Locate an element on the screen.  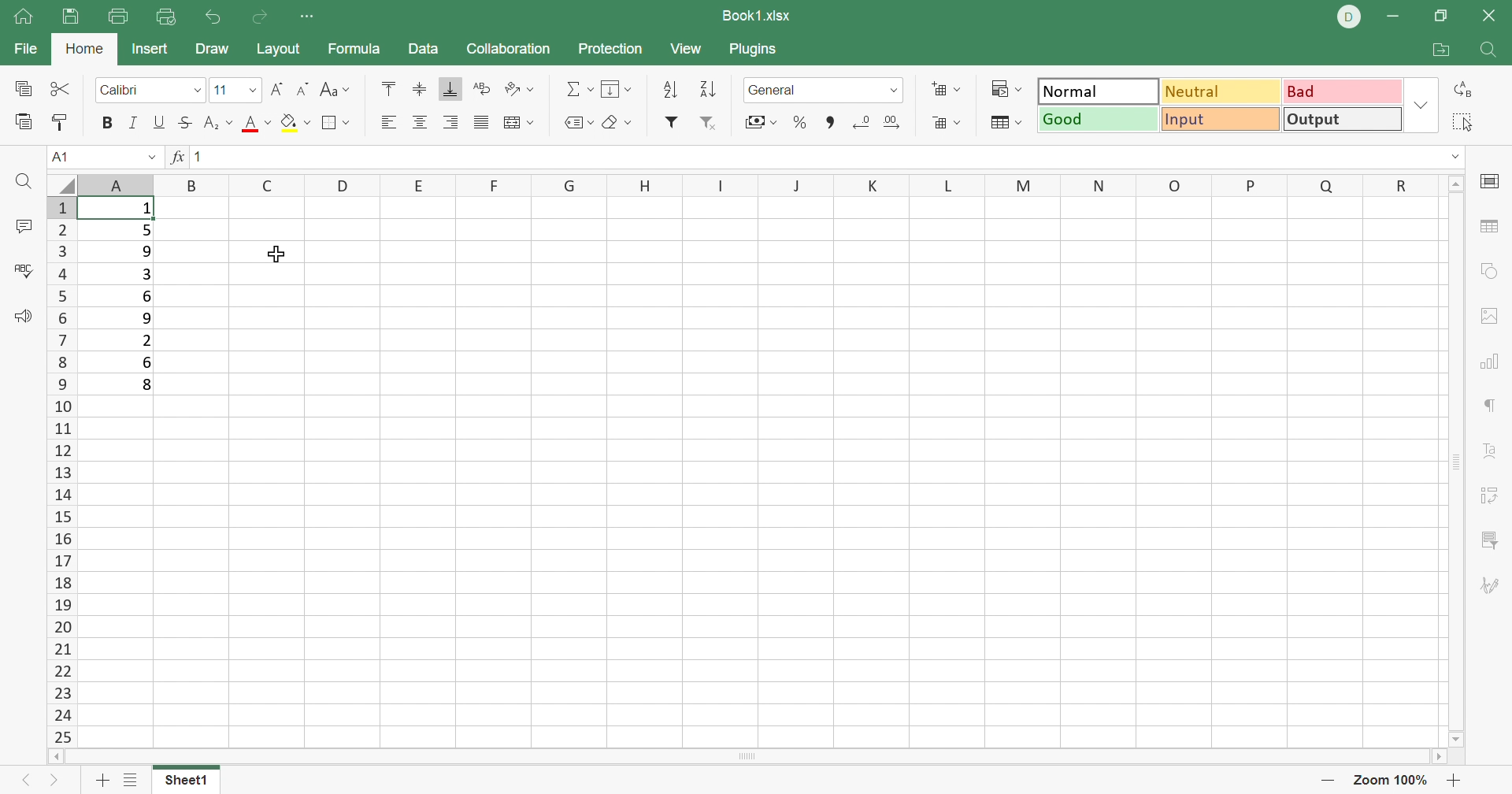
Accounting style is located at coordinates (755, 123).